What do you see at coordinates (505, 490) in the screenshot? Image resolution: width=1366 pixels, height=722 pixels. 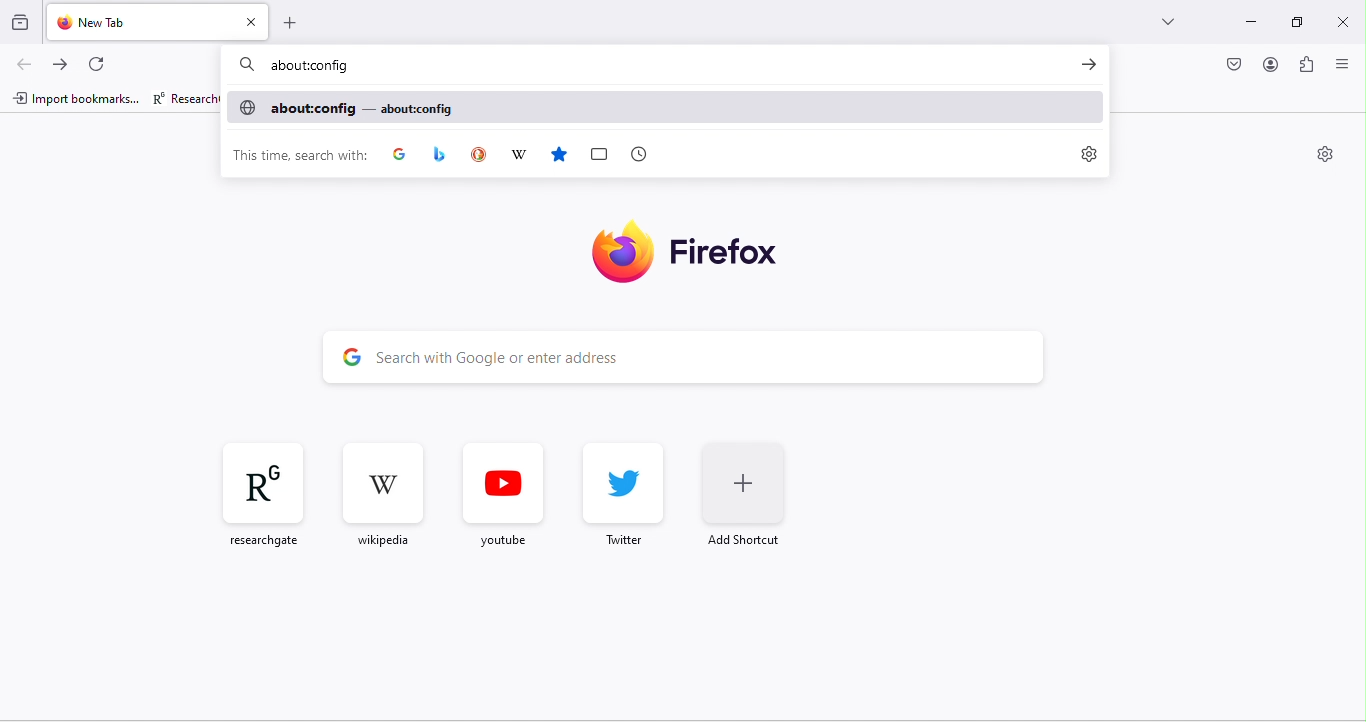 I see `youtube` at bounding box center [505, 490].